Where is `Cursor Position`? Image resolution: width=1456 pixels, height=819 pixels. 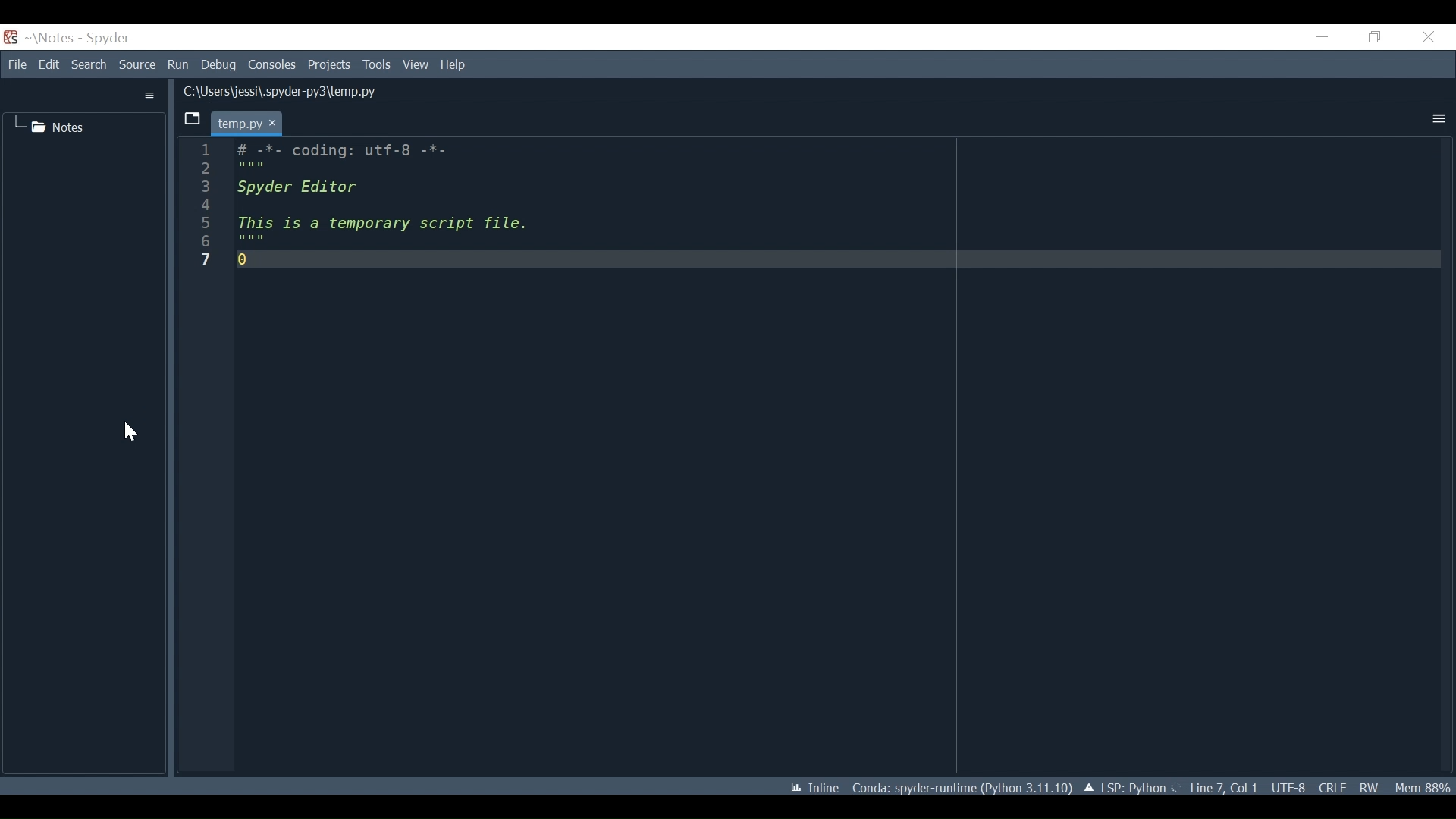
Cursor Position is located at coordinates (1224, 786).